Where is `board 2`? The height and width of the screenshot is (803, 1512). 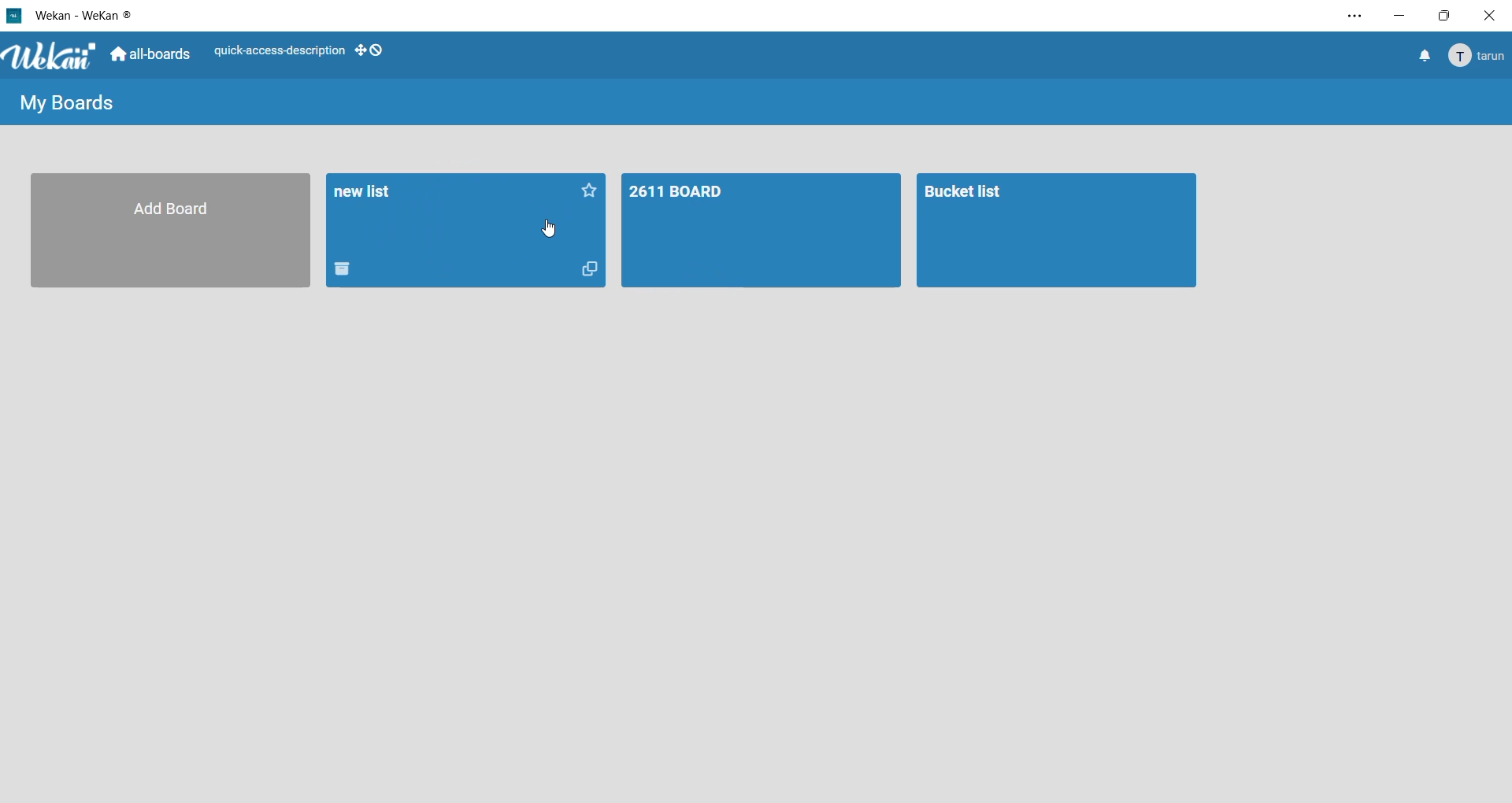 board 2 is located at coordinates (1057, 232).